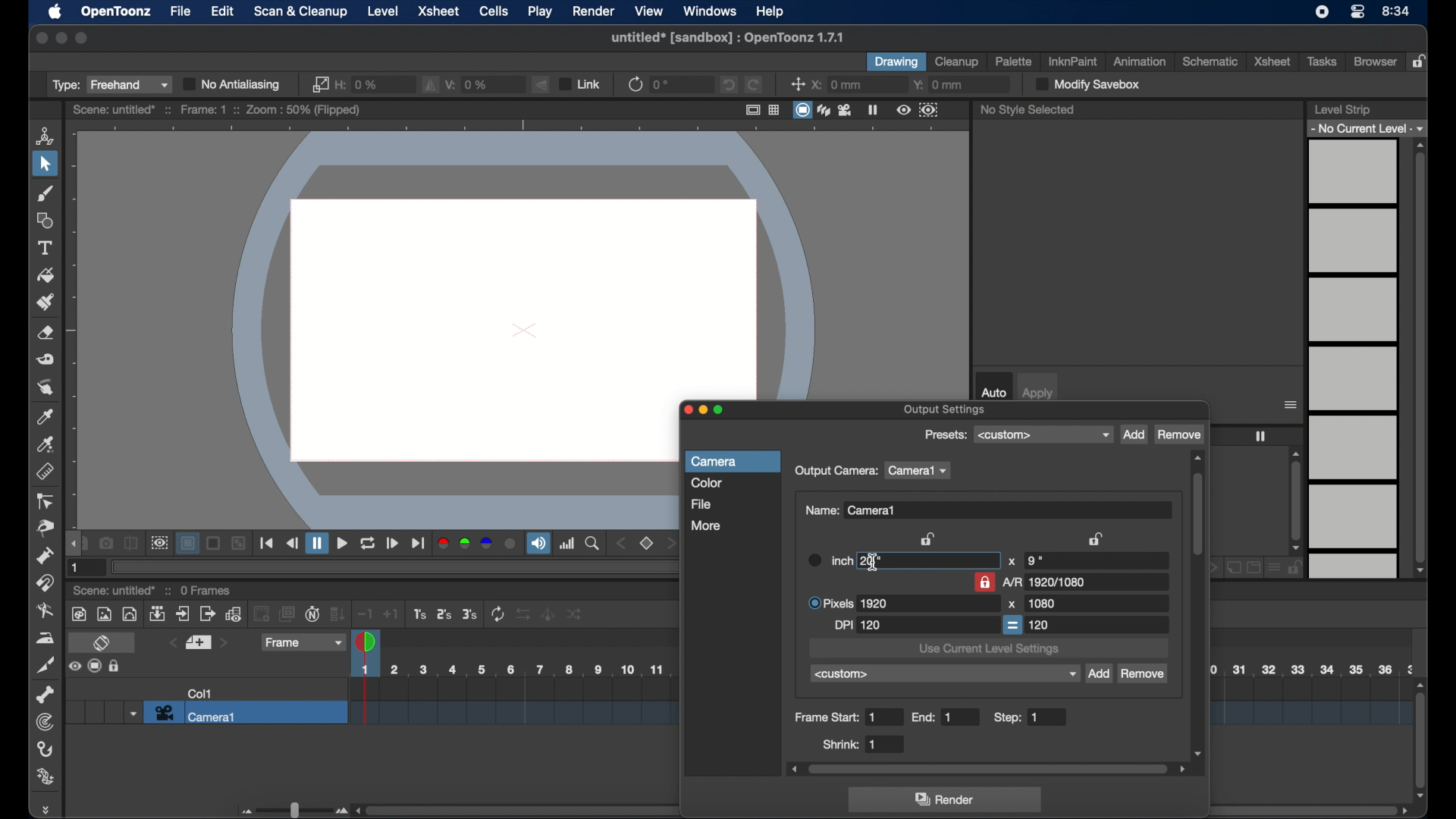 This screenshot has height=819, width=1456. I want to click on pixels, so click(849, 603).